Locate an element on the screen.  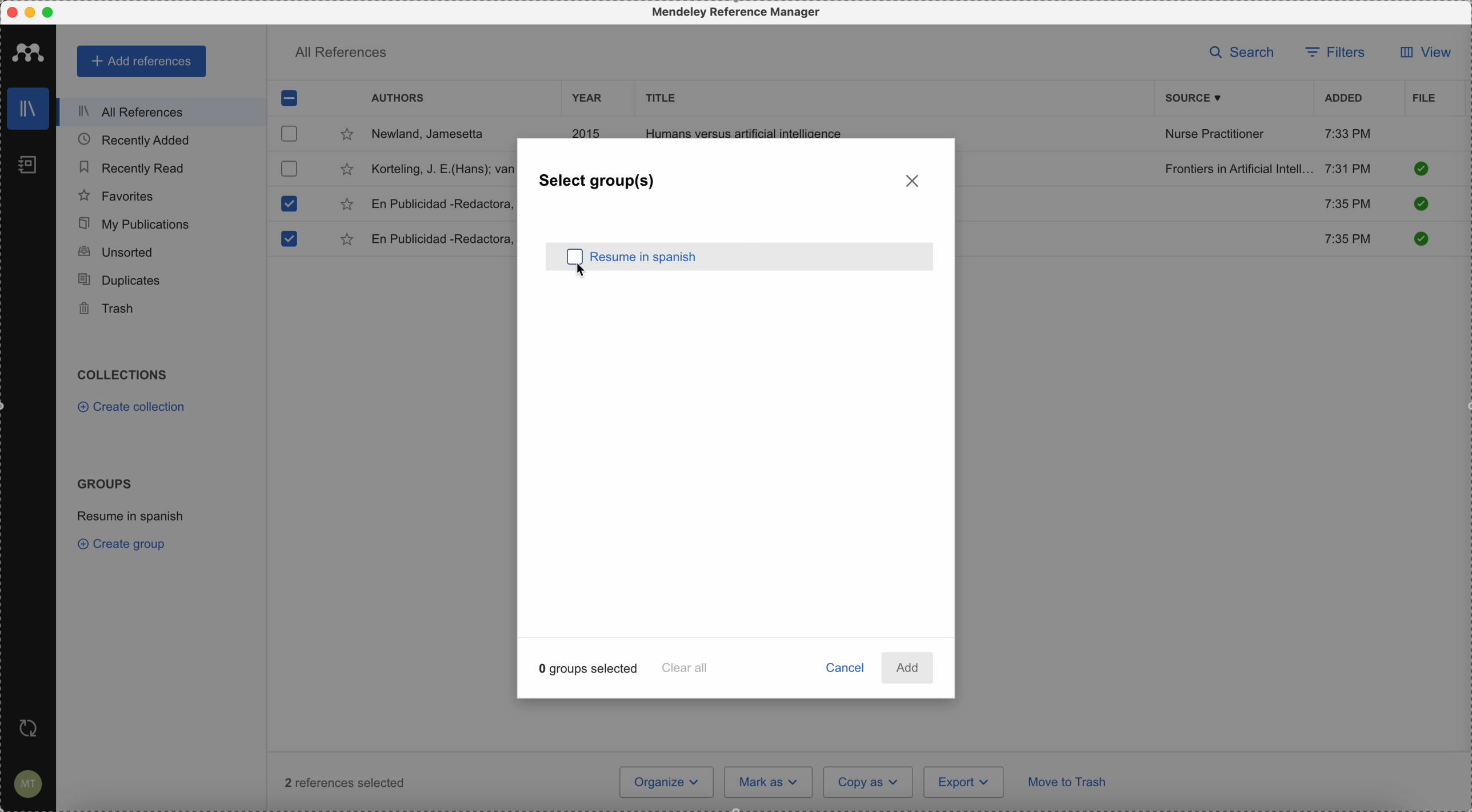
source is located at coordinates (1202, 98).